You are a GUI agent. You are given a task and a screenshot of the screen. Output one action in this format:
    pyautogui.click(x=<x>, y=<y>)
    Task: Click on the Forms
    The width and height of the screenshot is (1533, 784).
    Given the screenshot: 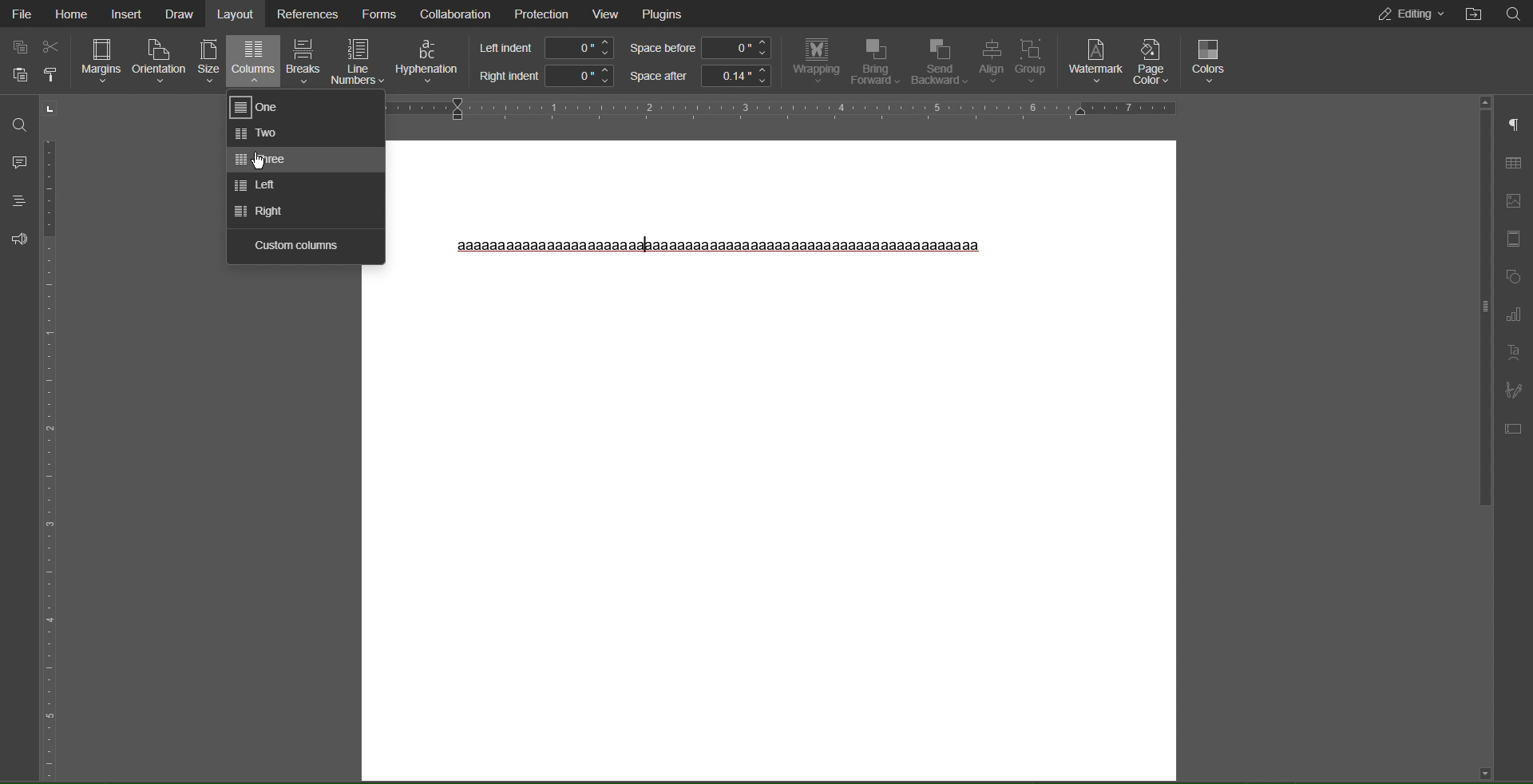 What is the action you would take?
    pyautogui.click(x=378, y=14)
    